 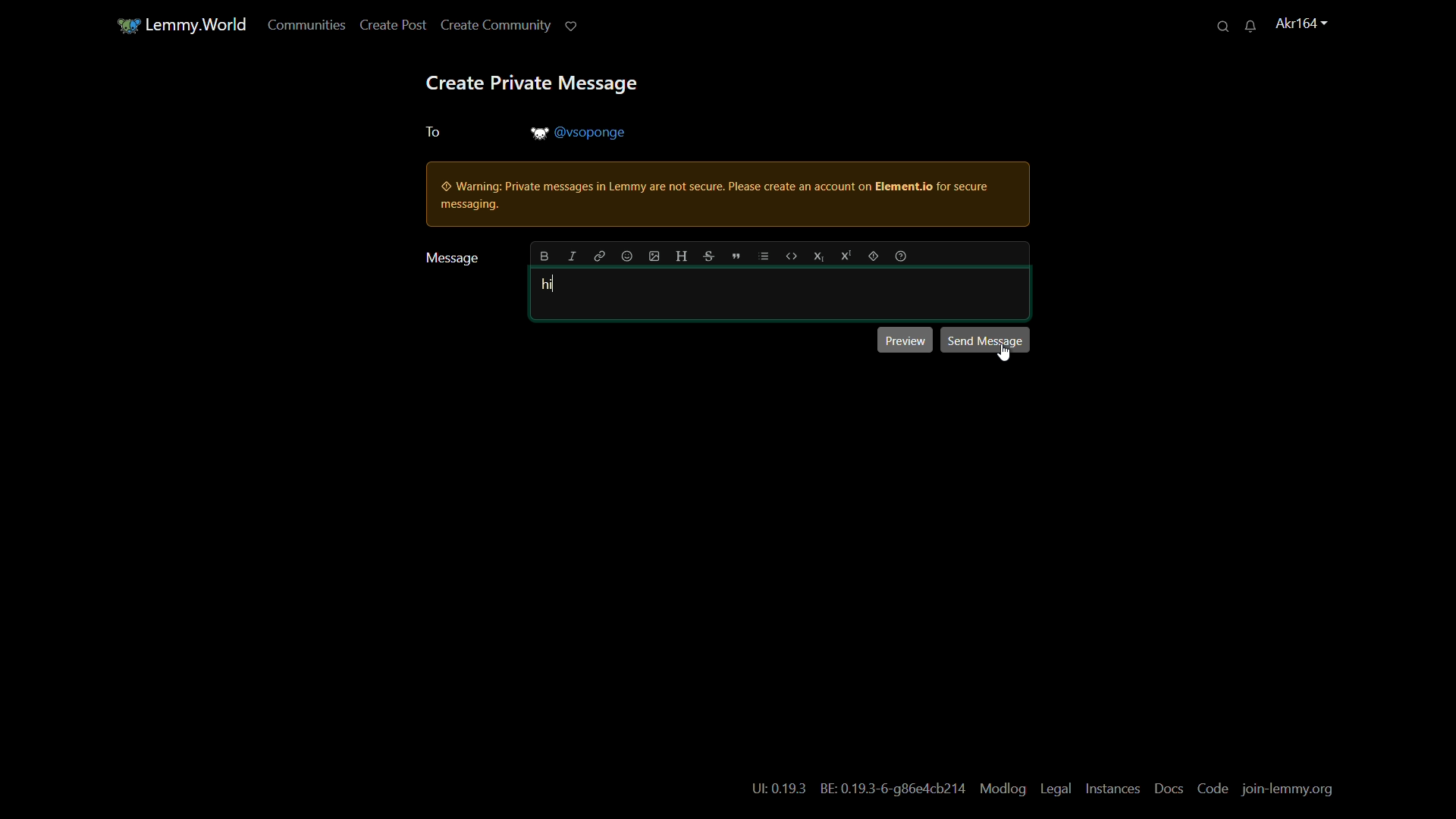 I want to click on code, so click(x=790, y=255).